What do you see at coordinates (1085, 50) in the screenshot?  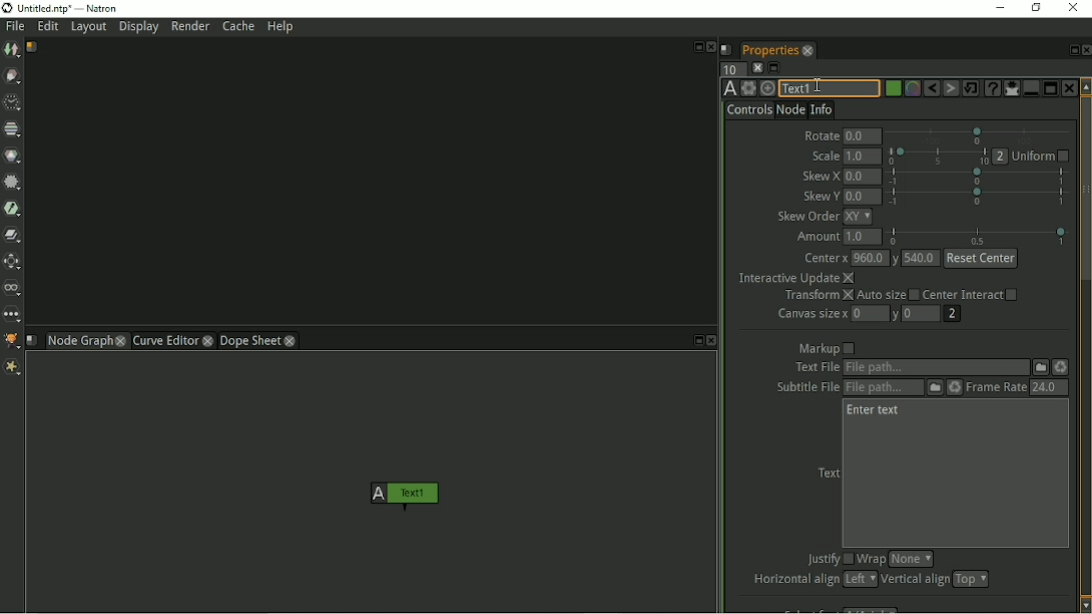 I see `Close` at bounding box center [1085, 50].